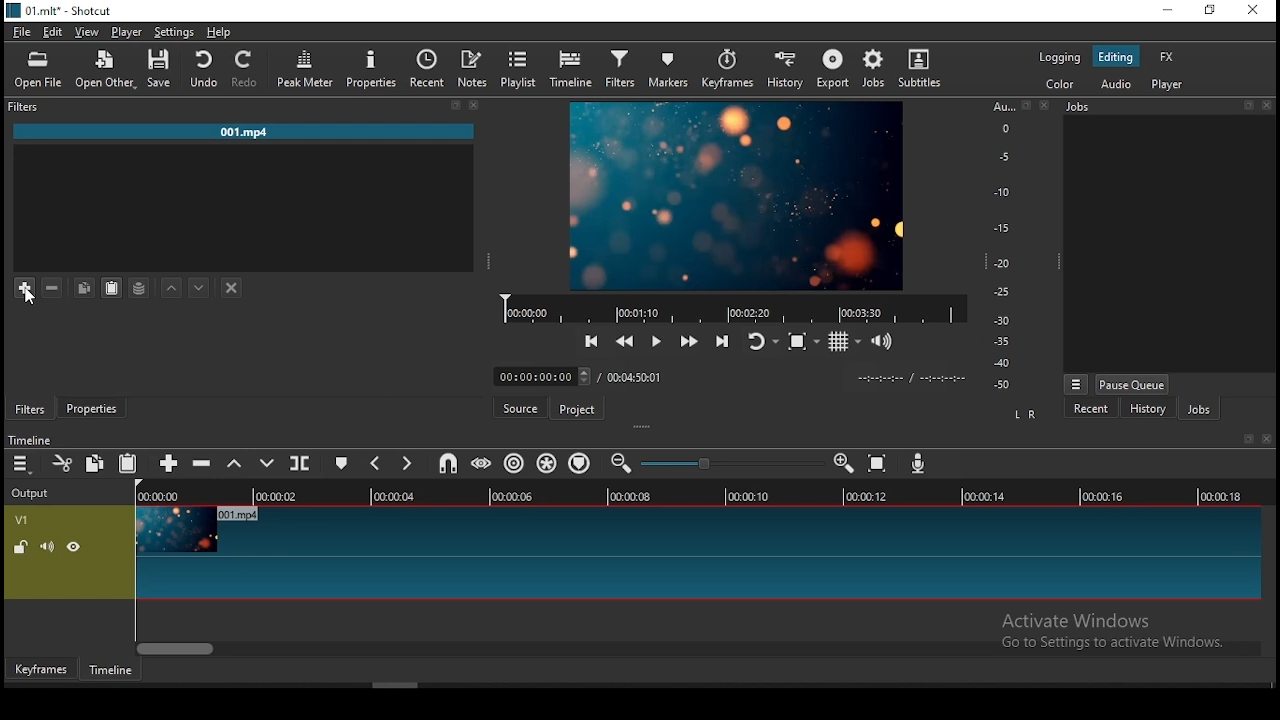  What do you see at coordinates (62, 462) in the screenshot?
I see `cut` at bounding box center [62, 462].